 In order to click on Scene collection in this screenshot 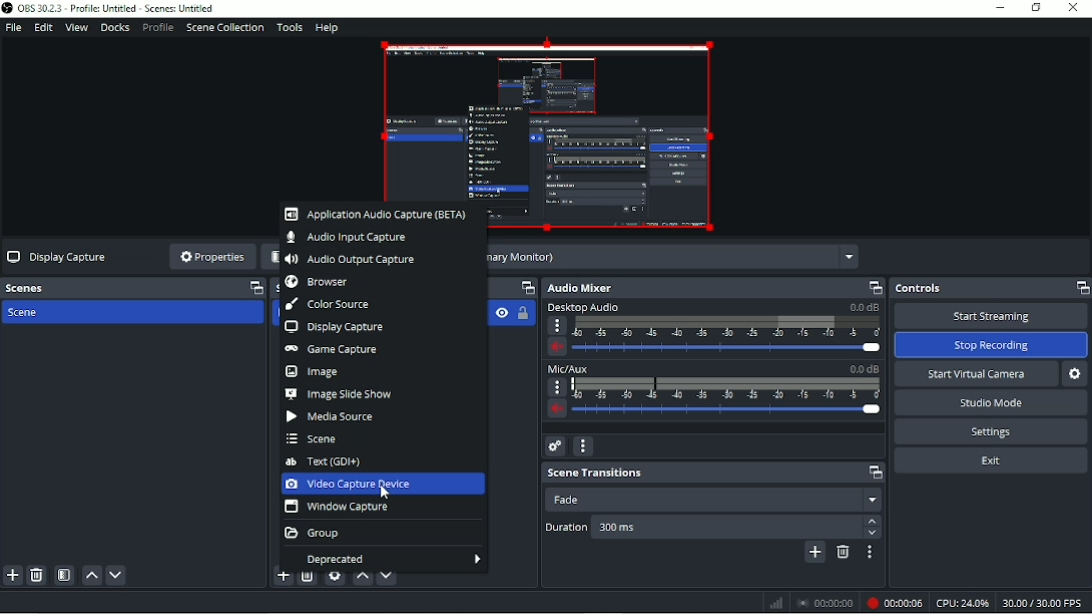, I will do `click(225, 27)`.